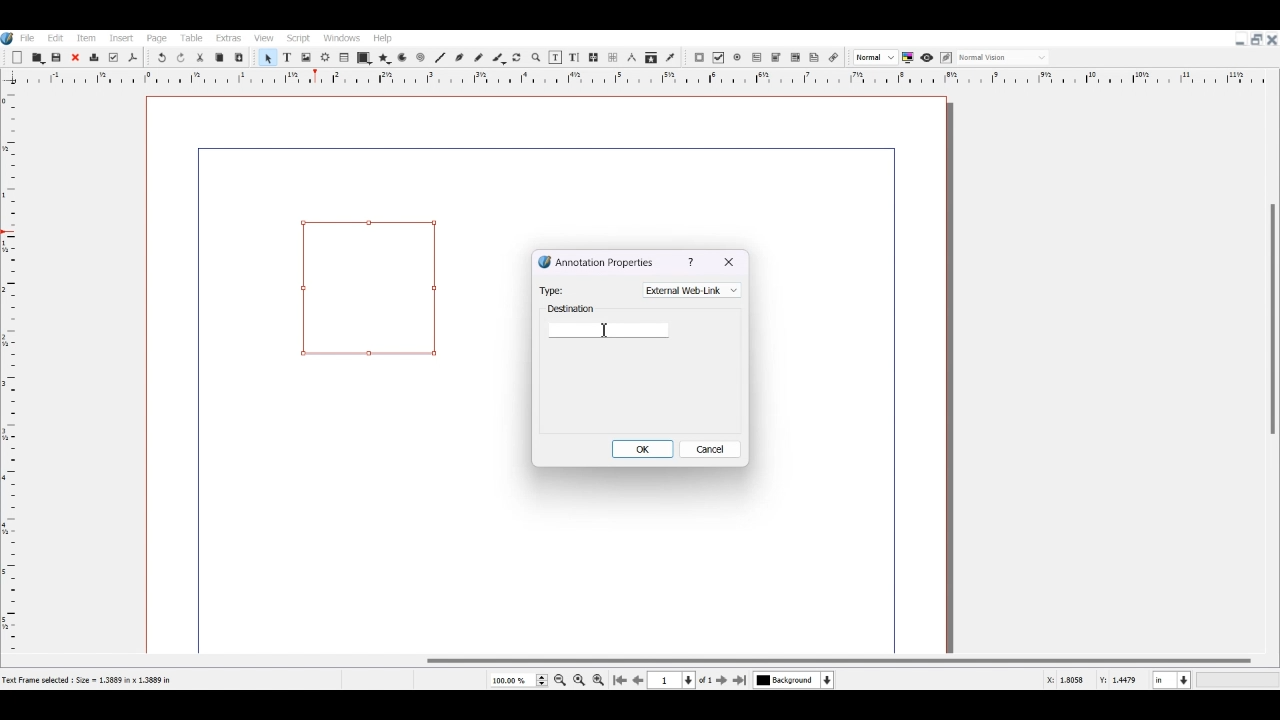 This screenshot has height=720, width=1280. Describe the element at coordinates (182, 58) in the screenshot. I see `Redo` at that location.